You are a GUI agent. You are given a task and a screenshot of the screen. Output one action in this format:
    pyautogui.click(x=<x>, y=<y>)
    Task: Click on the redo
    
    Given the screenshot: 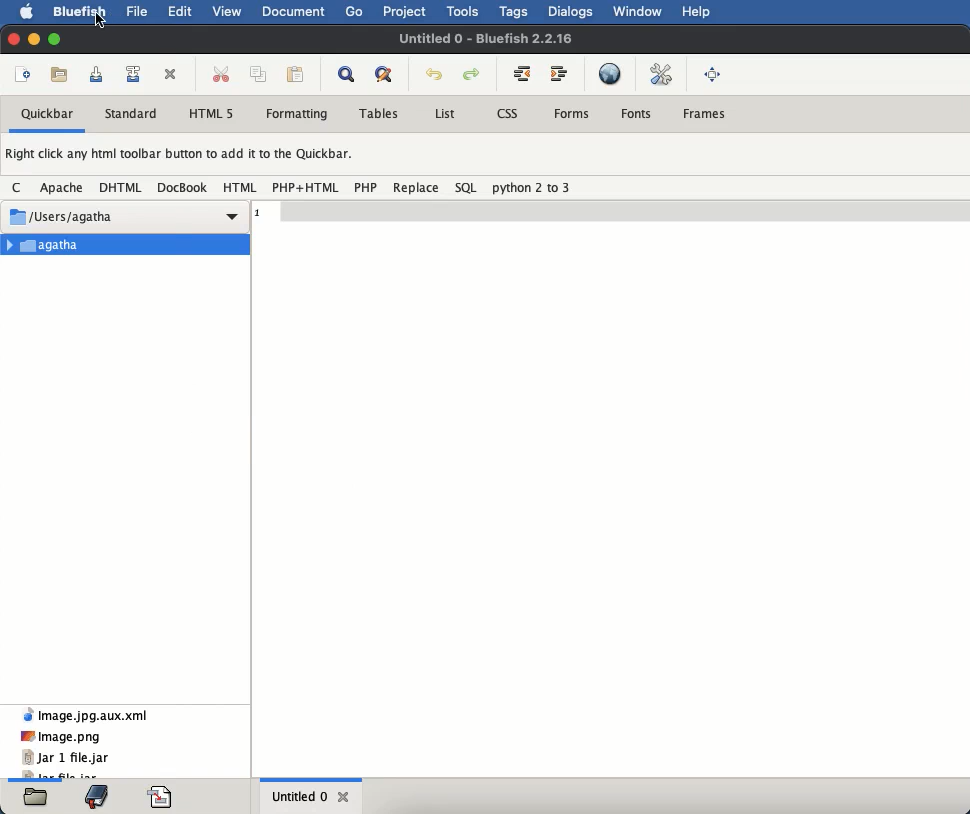 What is the action you would take?
    pyautogui.click(x=473, y=75)
    